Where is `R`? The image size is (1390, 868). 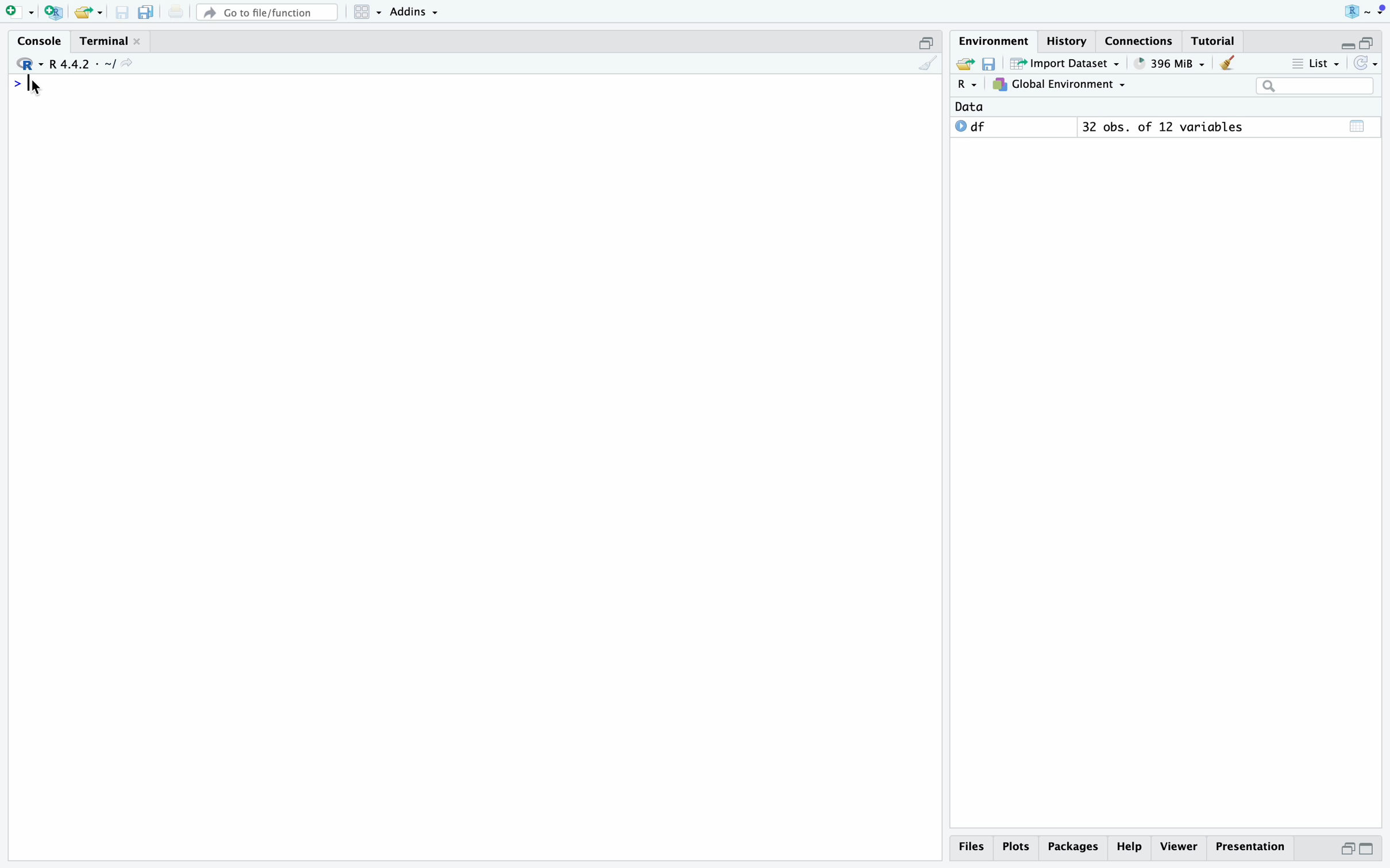 R is located at coordinates (969, 85).